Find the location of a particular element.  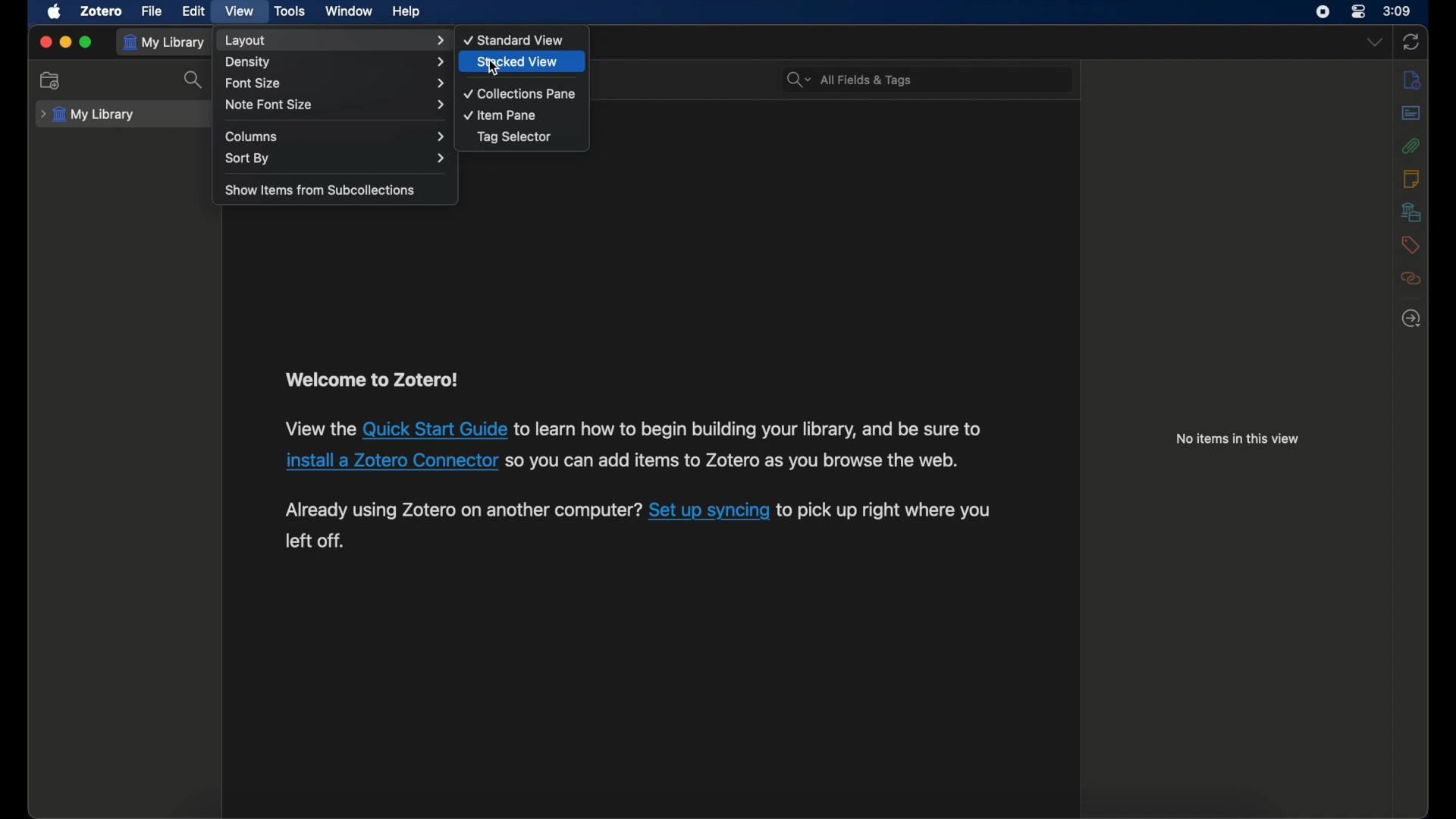

info is located at coordinates (1237, 440).